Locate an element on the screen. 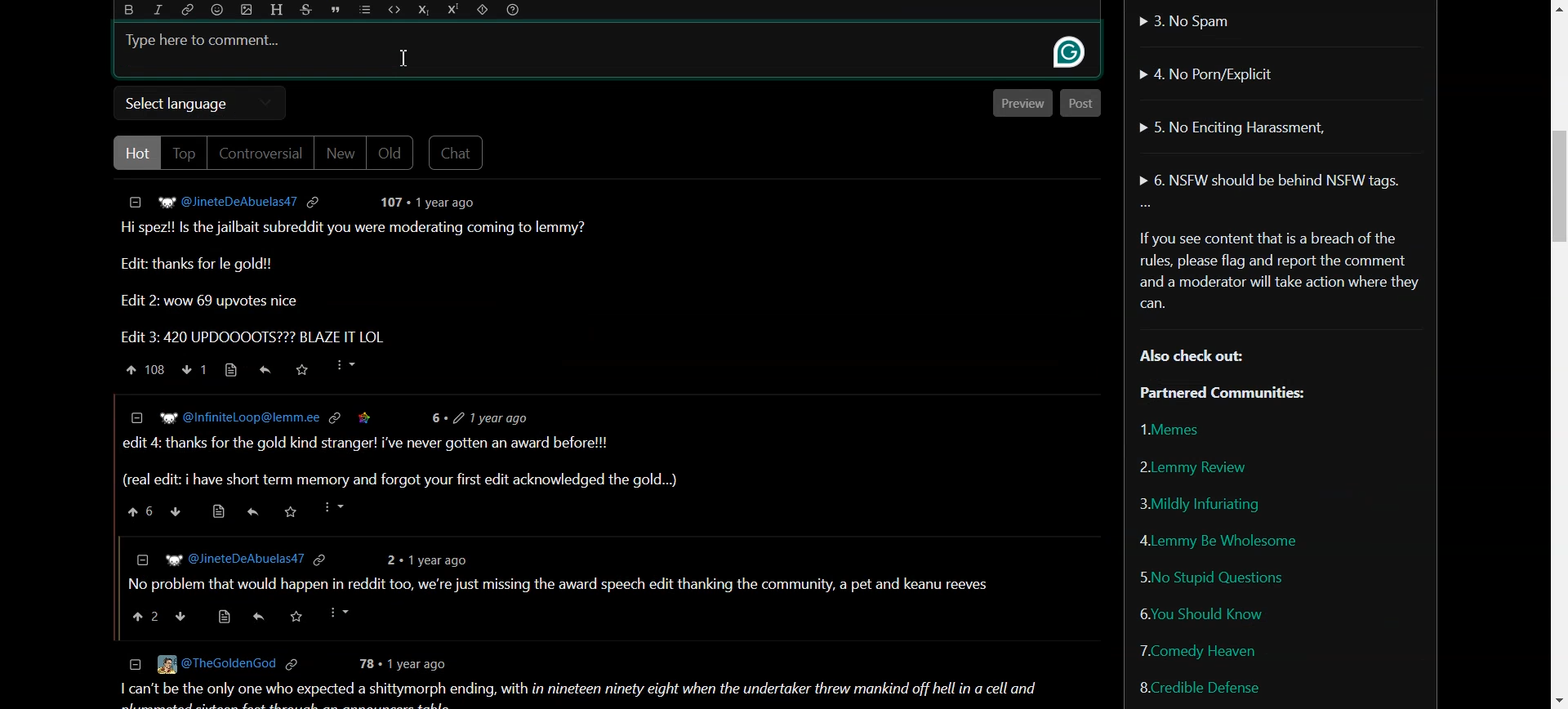 The width and height of the screenshot is (1568, 709). saved is located at coordinates (367, 419).